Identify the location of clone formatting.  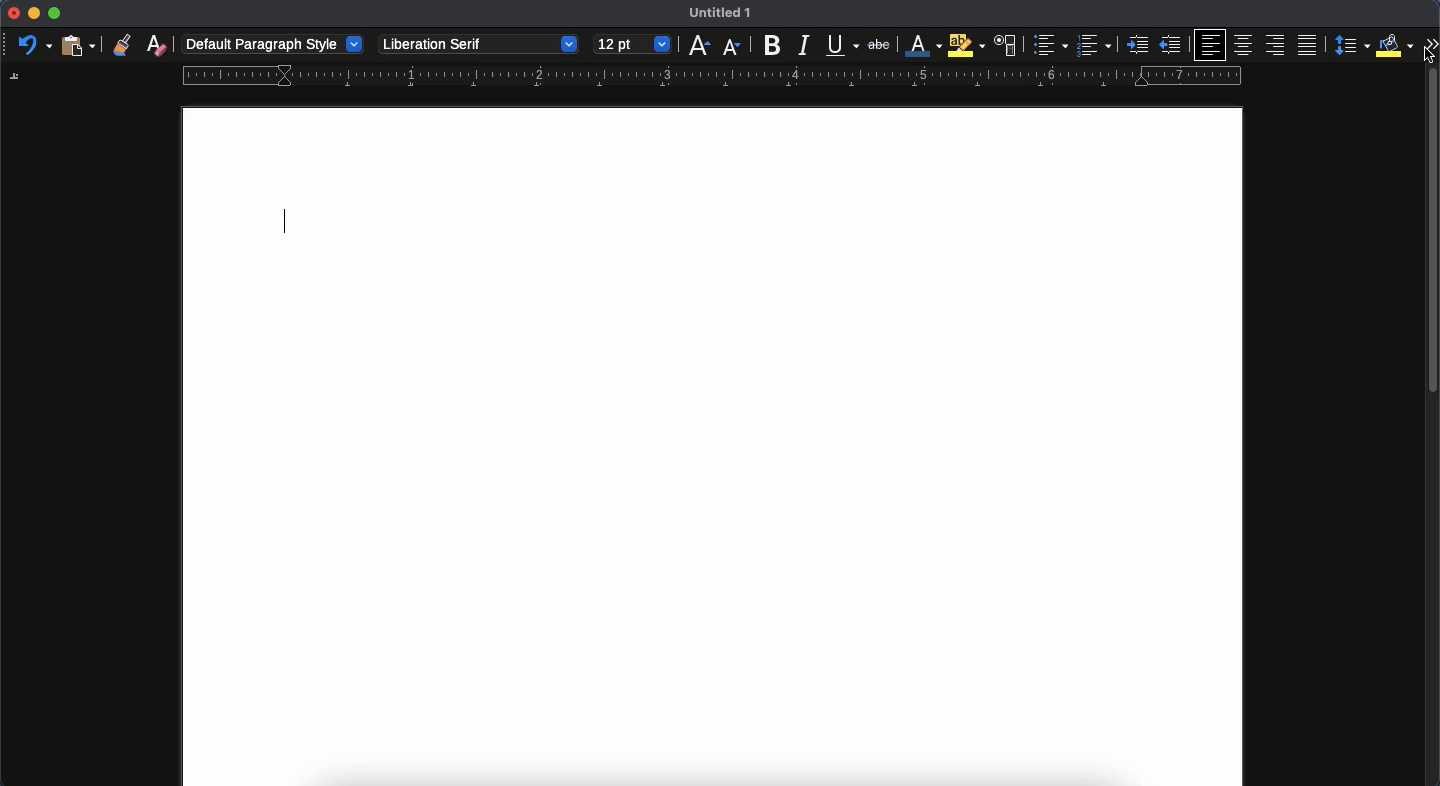
(121, 43).